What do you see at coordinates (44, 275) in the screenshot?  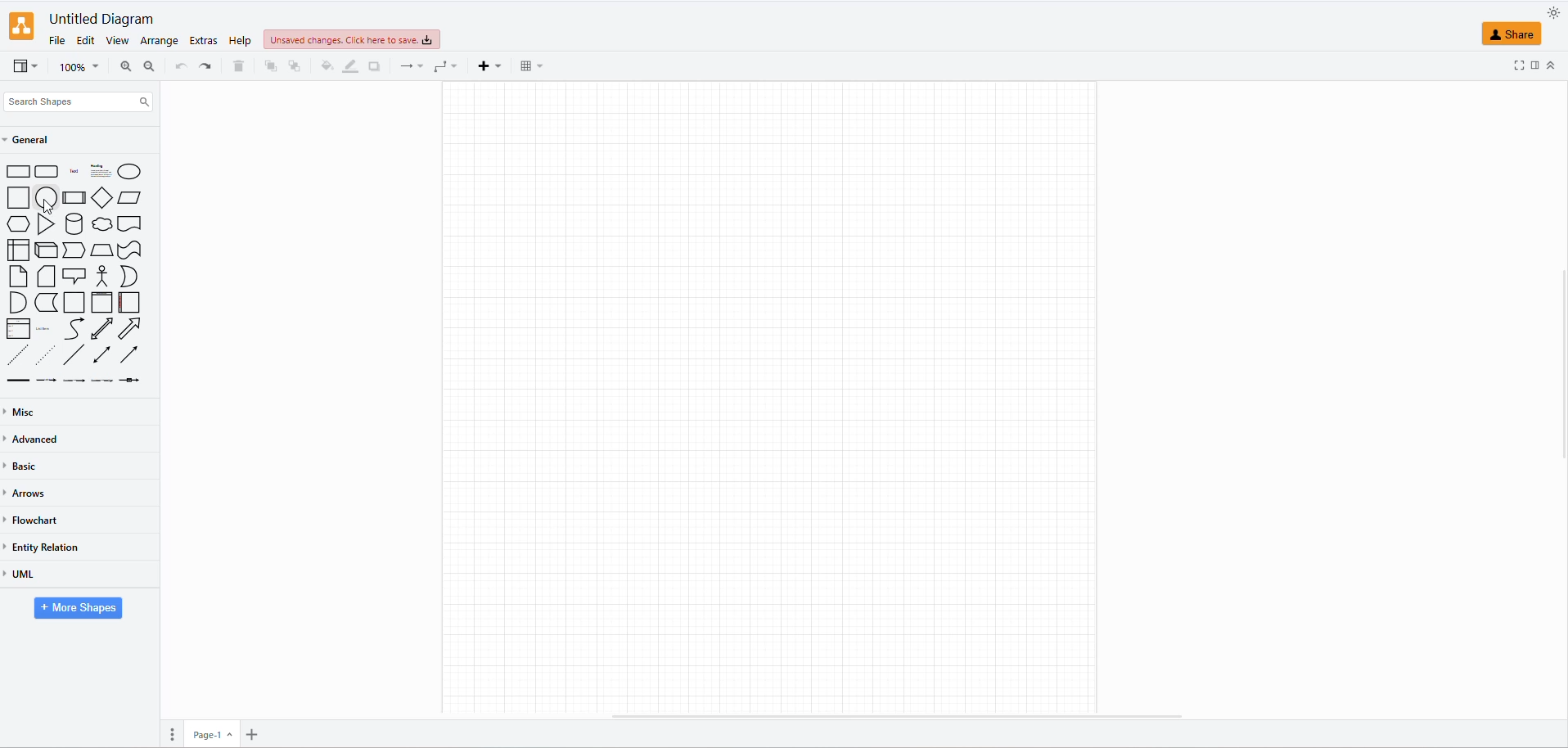 I see `CARD` at bounding box center [44, 275].